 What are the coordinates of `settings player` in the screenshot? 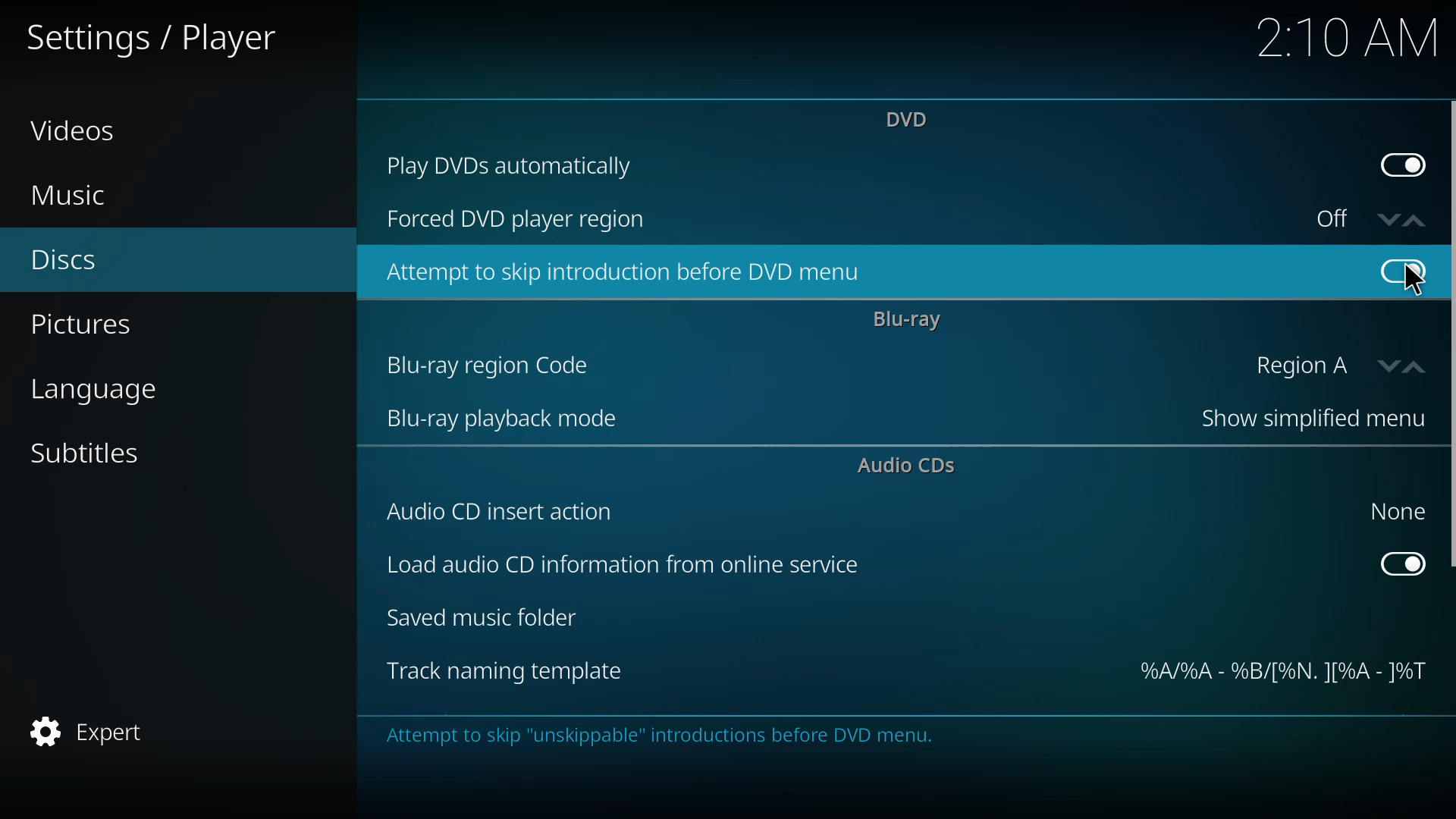 It's located at (155, 36).